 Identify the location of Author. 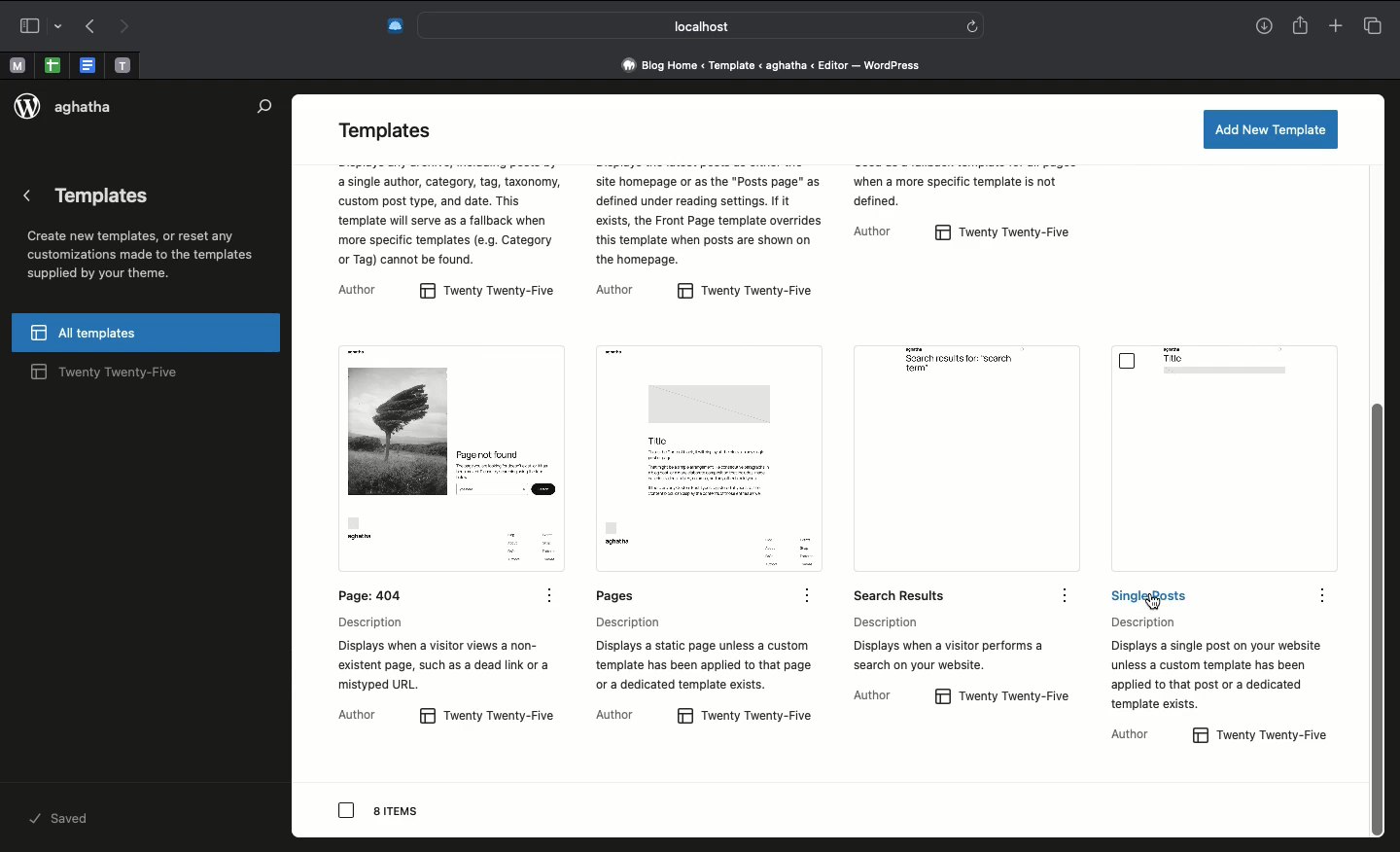
(358, 715).